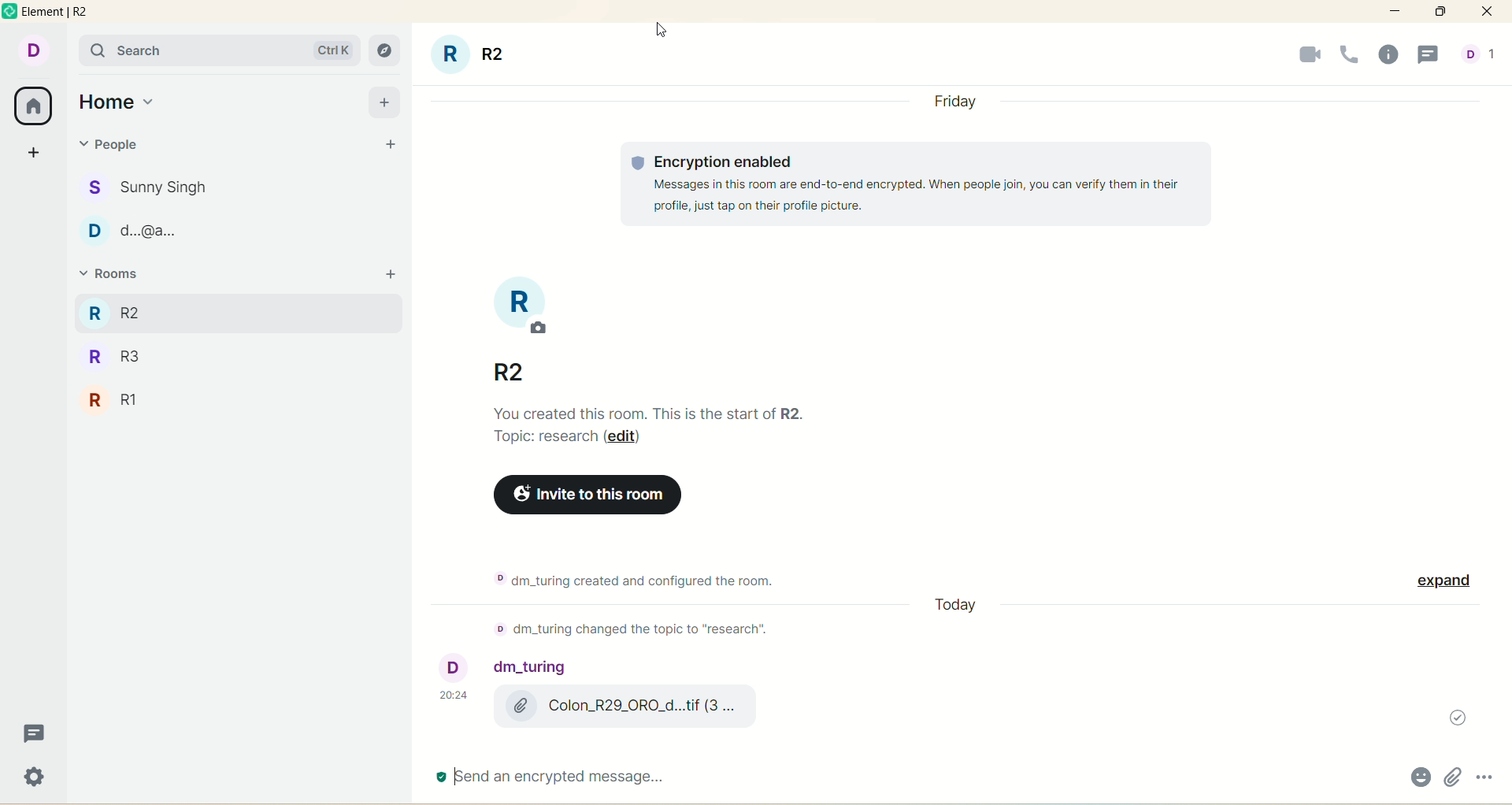 This screenshot has height=805, width=1512. What do you see at coordinates (218, 50) in the screenshot?
I see `search` at bounding box center [218, 50].